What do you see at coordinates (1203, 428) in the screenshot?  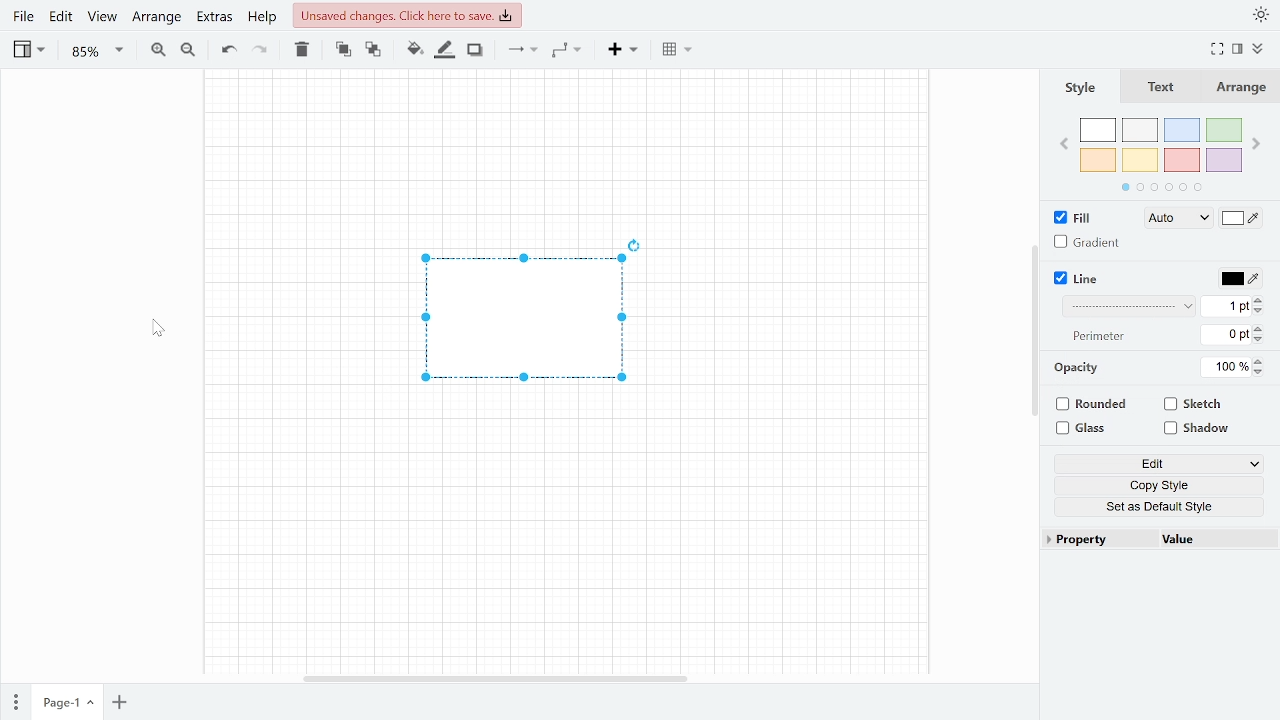 I see `Shadow` at bounding box center [1203, 428].